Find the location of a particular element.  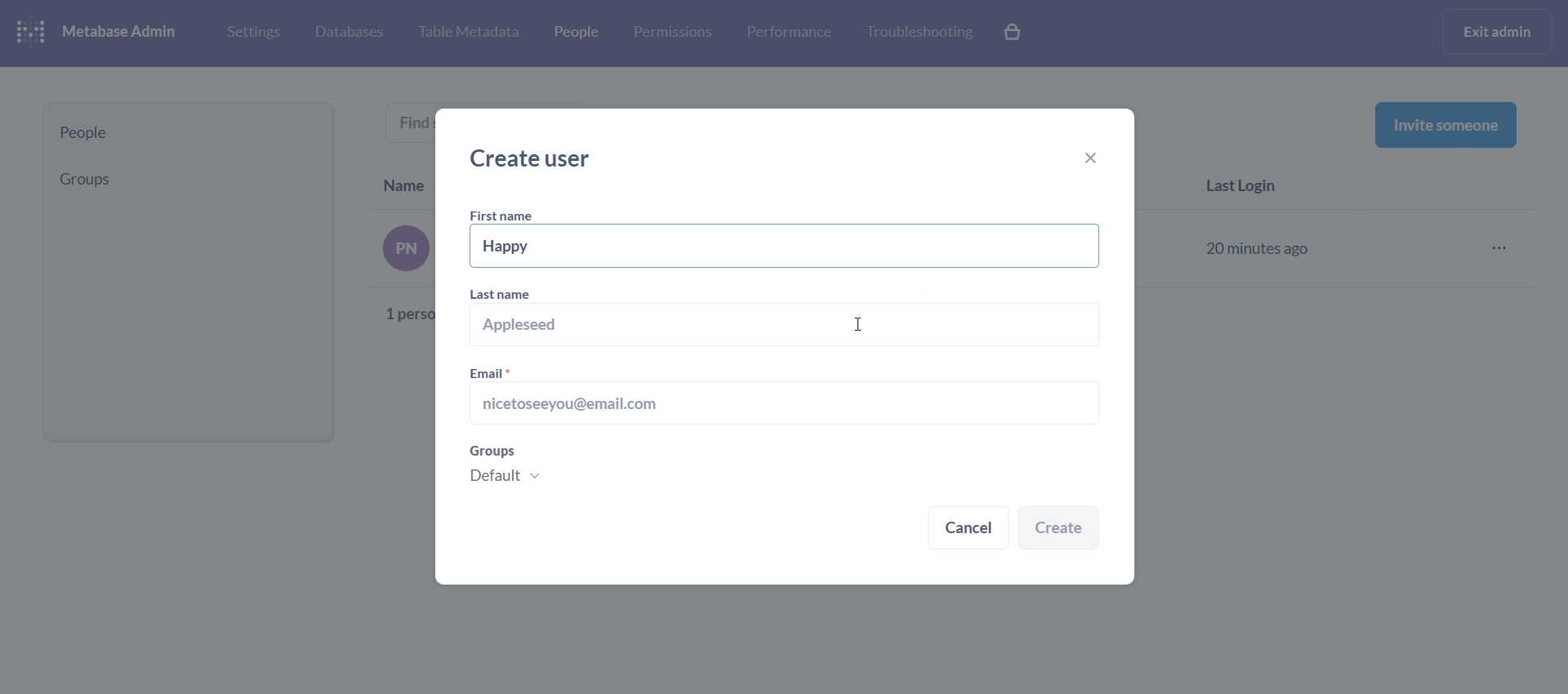

email is located at coordinates (782, 397).